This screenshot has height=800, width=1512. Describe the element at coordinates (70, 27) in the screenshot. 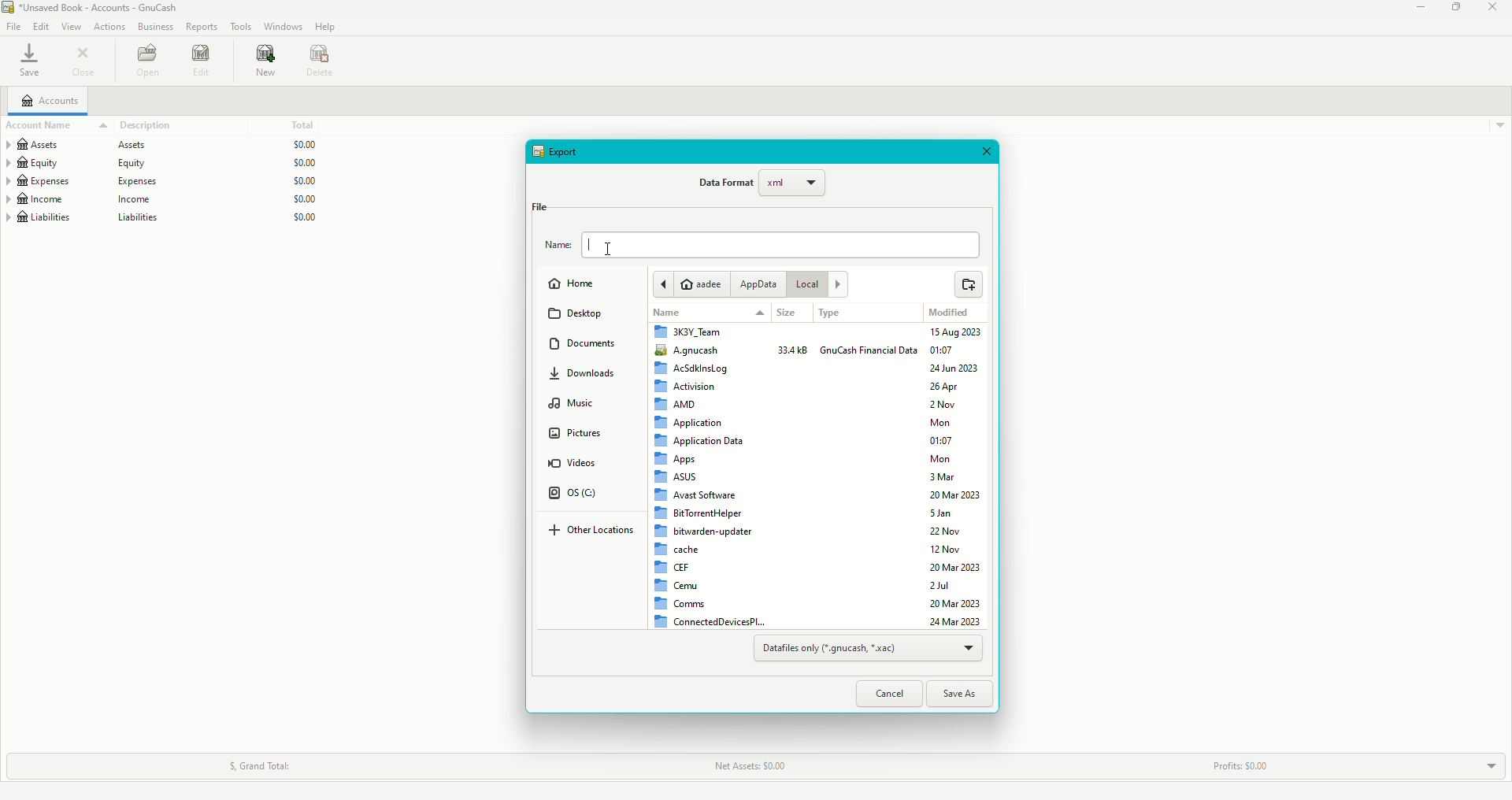

I see `View` at that location.